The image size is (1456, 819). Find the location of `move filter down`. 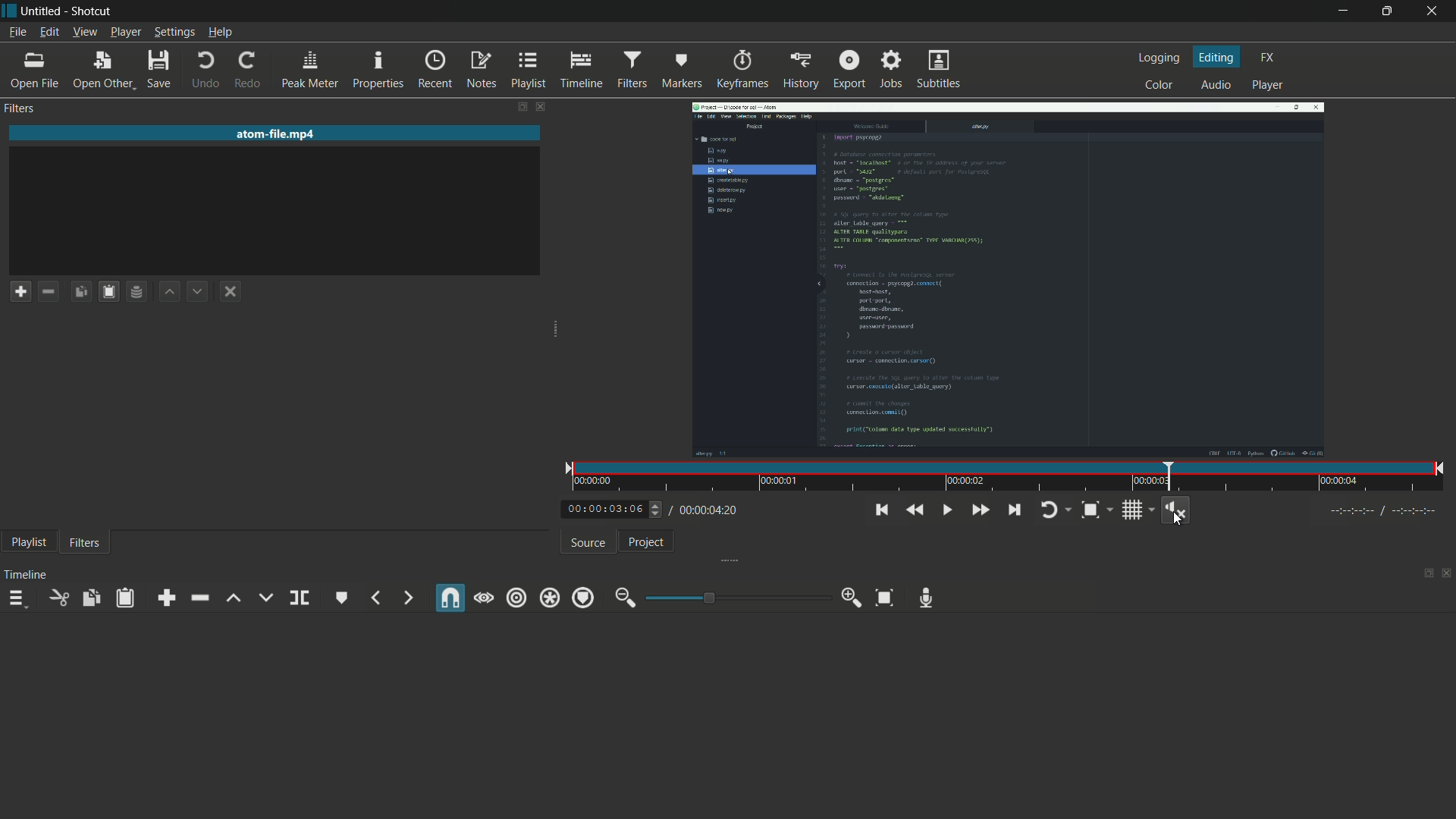

move filter down is located at coordinates (198, 293).